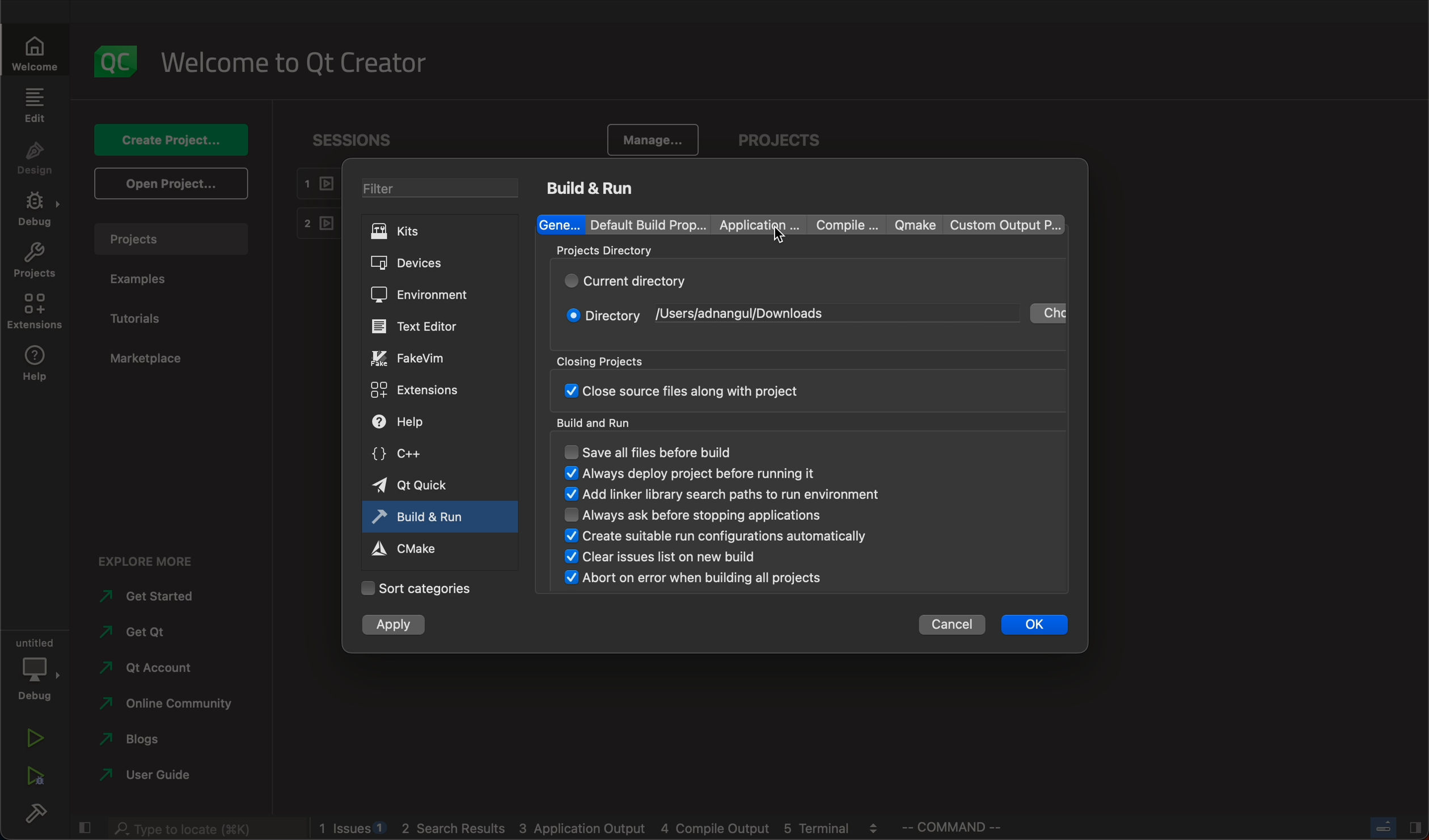 The width and height of the screenshot is (1429, 840). Describe the element at coordinates (779, 130) in the screenshot. I see `projects` at that location.